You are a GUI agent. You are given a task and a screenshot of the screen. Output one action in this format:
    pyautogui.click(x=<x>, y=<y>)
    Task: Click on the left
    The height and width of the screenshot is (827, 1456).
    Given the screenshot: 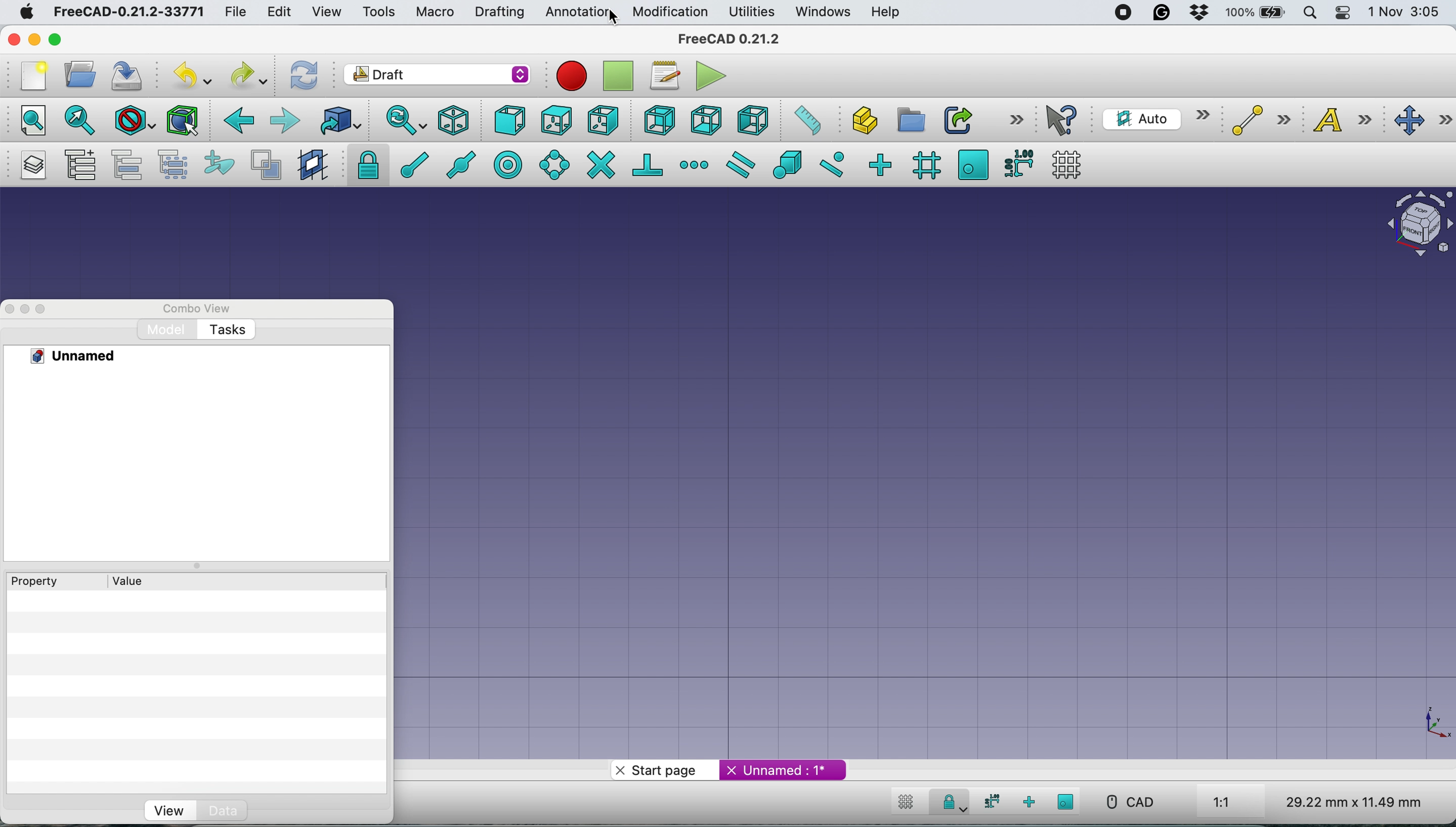 What is the action you would take?
    pyautogui.click(x=749, y=119)
    